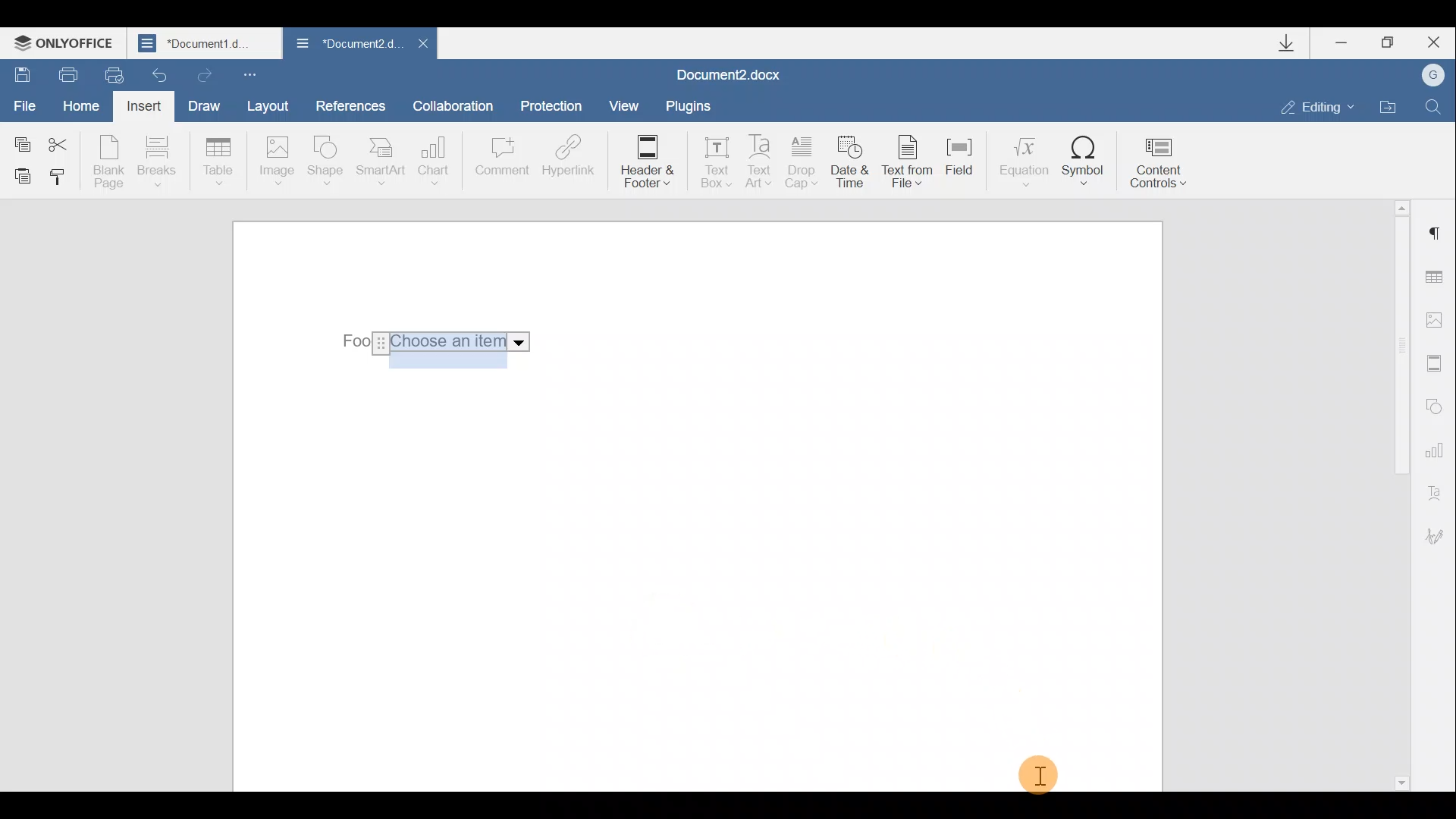 This screenshot has width=1456, height=819. What do you see at coordinates (26, 104) in the screenshot?
I see `File` at bounding box center [26, 104].